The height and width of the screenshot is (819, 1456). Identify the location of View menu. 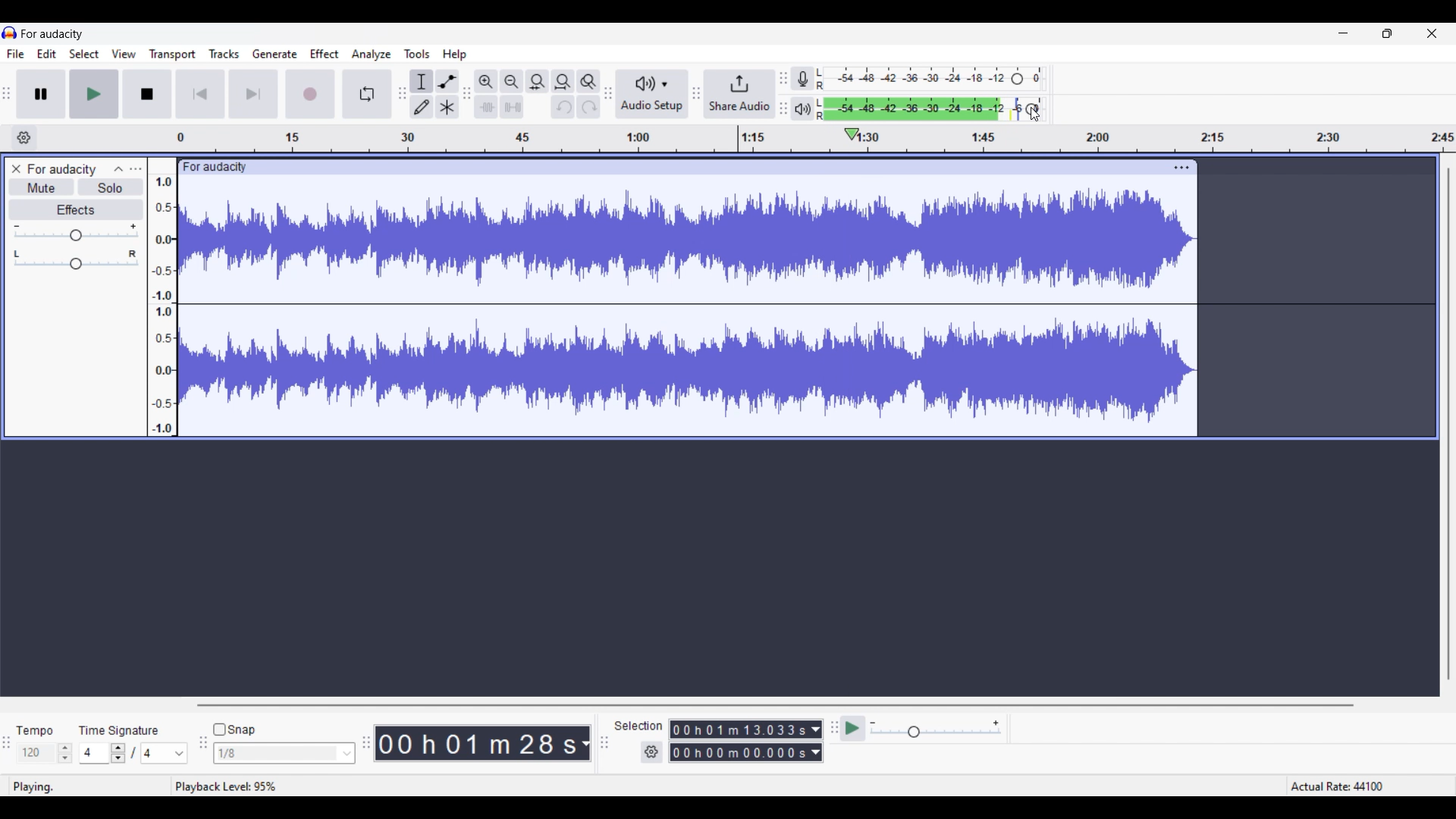
(124, 52).